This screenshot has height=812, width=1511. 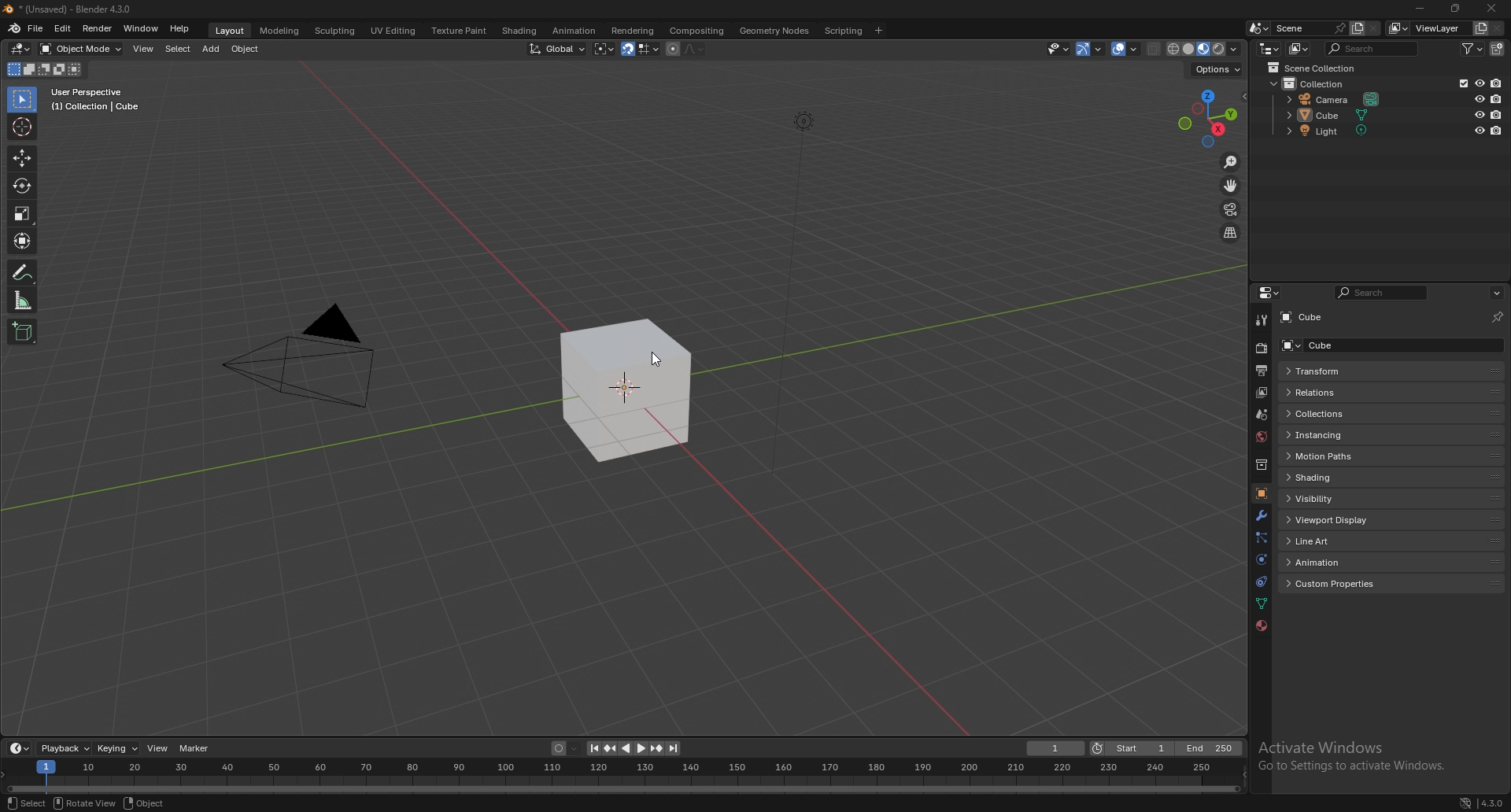 What do you see at coordinates (1261, 560) in the screenshot?
I see `physics` at bounding box center [1261, 560].